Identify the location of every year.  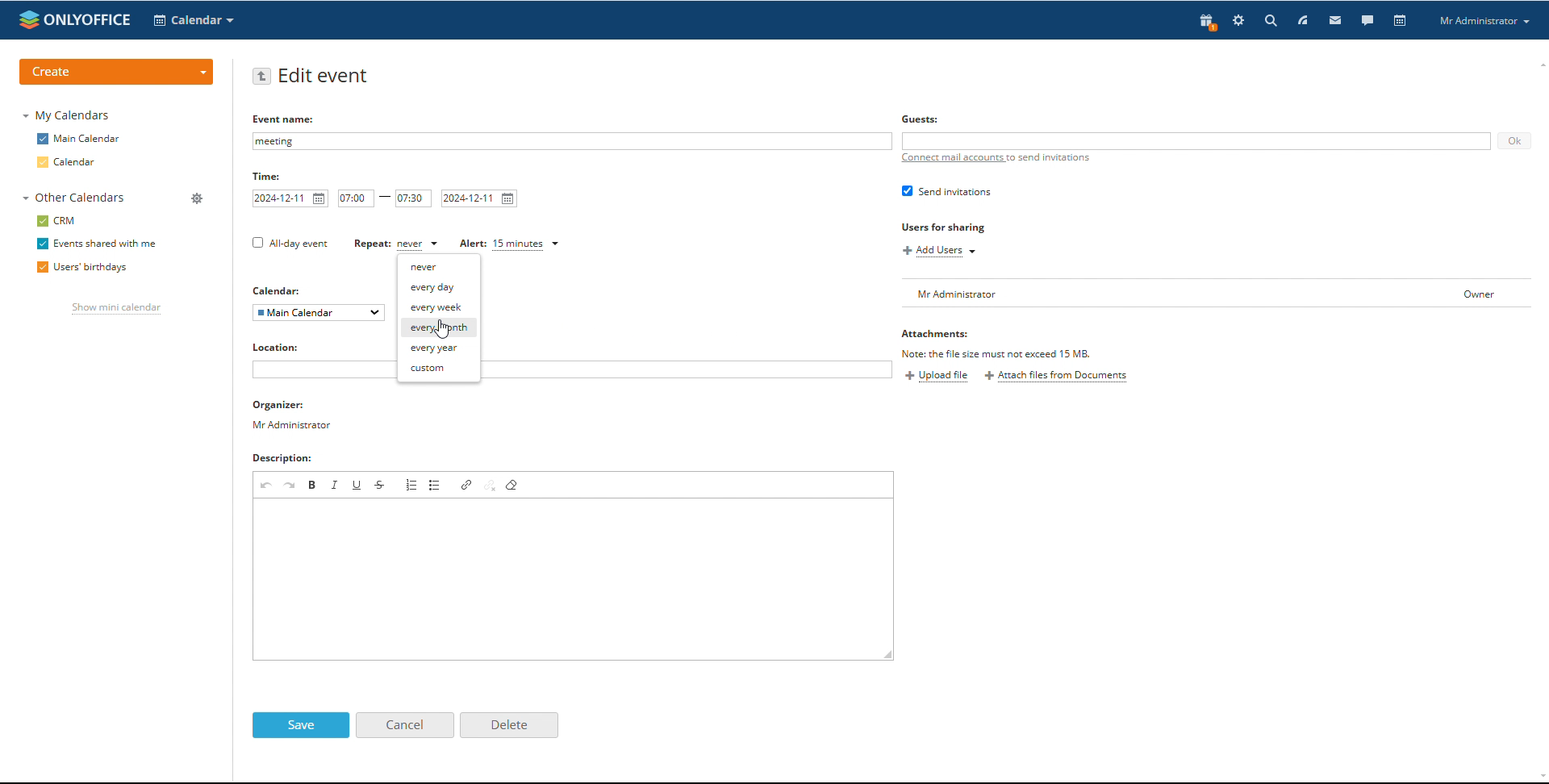
(438, 348).